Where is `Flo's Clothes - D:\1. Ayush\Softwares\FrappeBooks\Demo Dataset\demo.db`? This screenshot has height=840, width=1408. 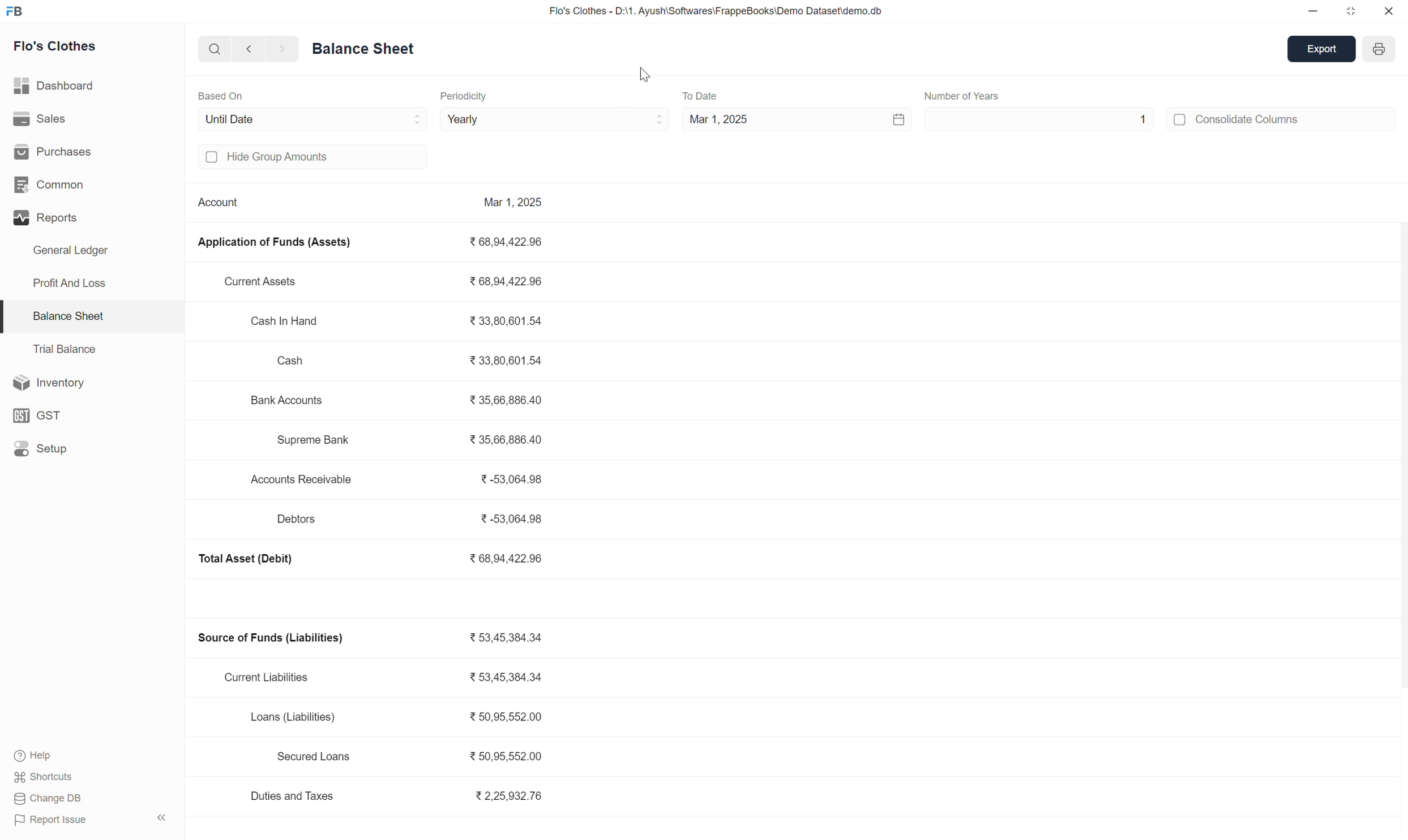 Flo's Clothes - D:\1. Ayush\Softwares\FrappeBooks\Demo Dataset\demo.db is located at coordinates (714, 10).